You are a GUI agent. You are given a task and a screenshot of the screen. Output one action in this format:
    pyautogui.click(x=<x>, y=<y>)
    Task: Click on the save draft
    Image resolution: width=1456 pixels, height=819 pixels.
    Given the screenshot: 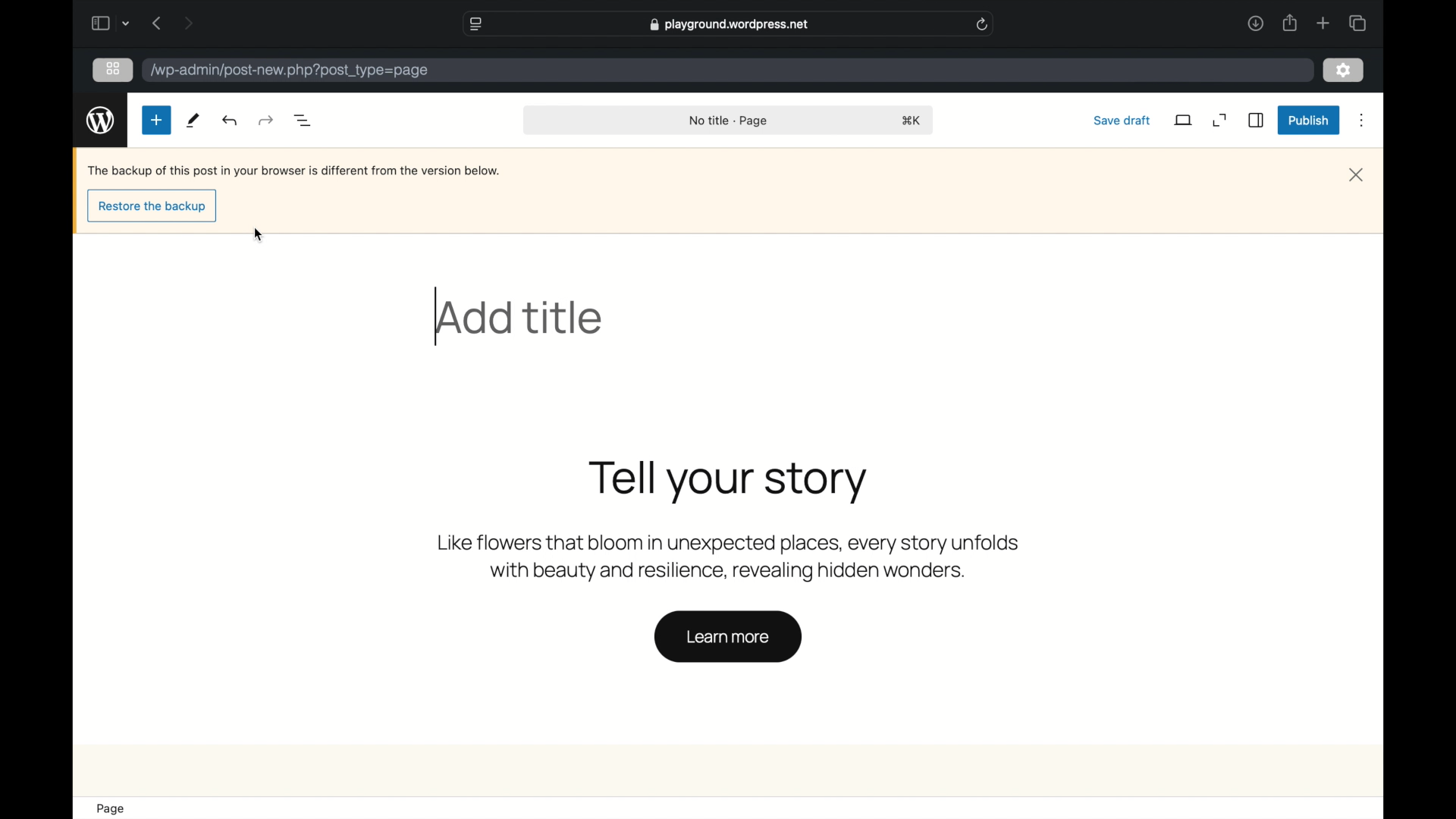 What is the action you would take?
    pyautogui.click(x=1122, y=120)
    